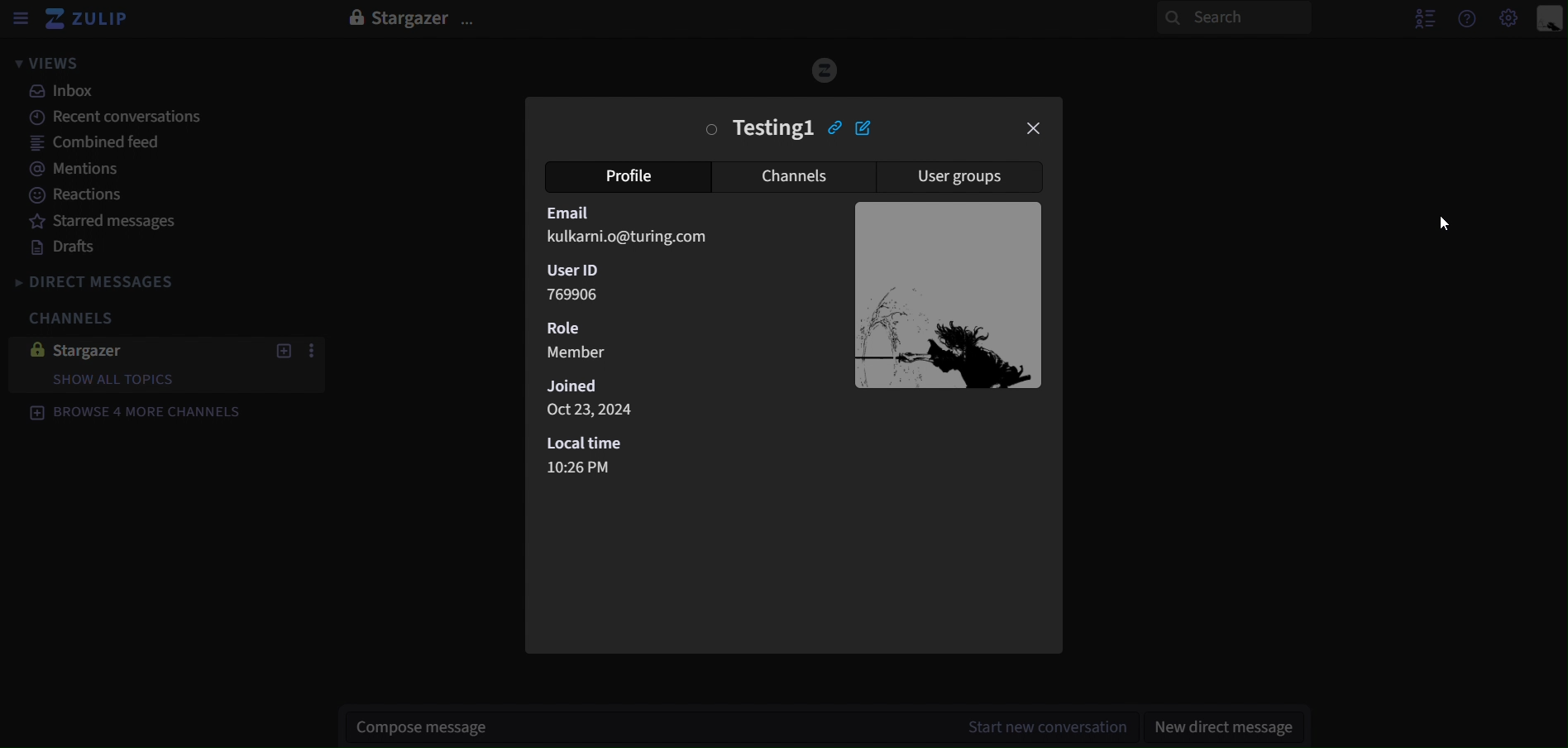 The height and width of the screenshot is (748, 1568). Describe the element at coordinates (96, 21) in the screenshot. I see `zulip` at that location.